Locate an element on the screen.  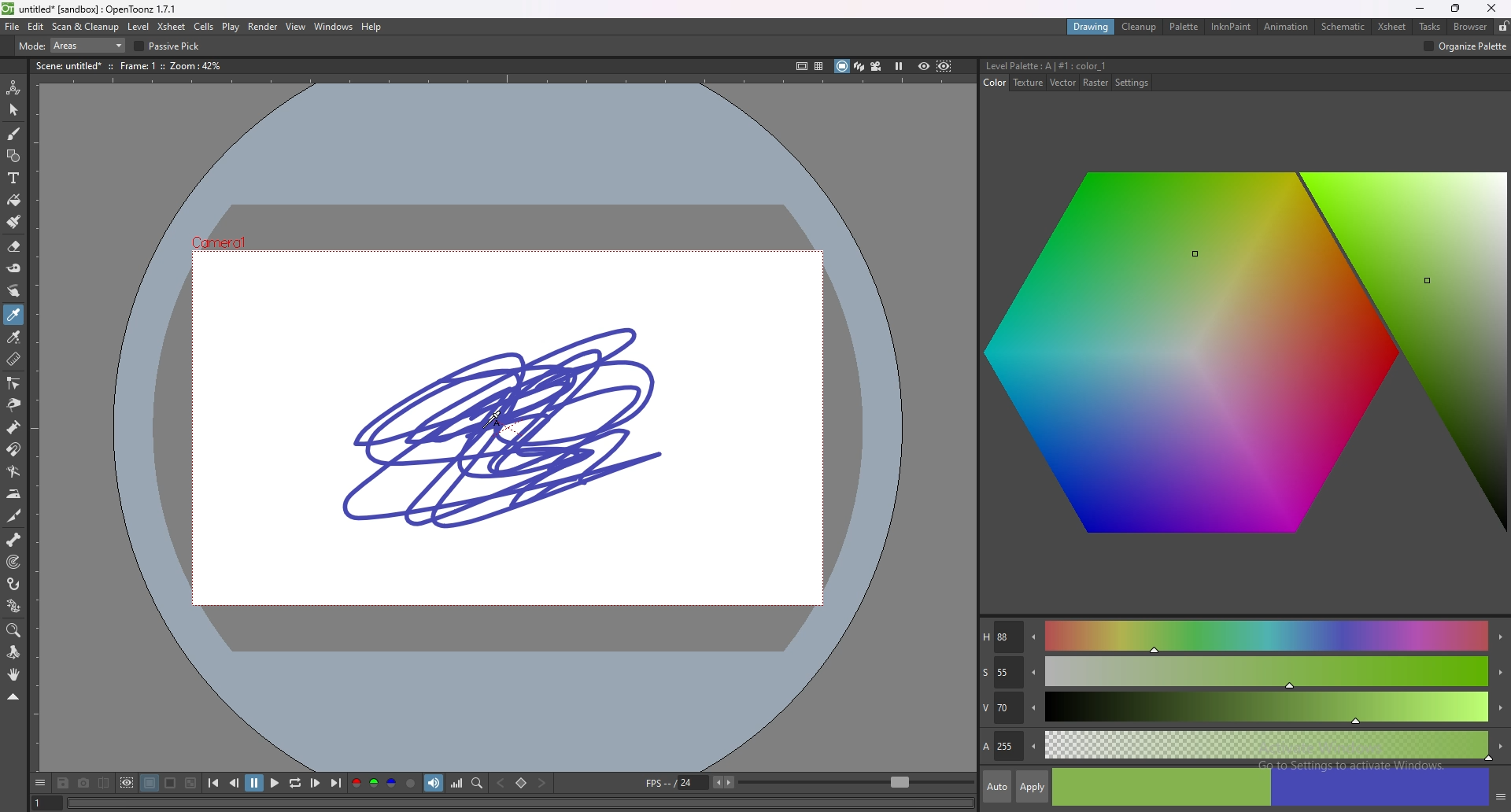
animation is located at coordinates (1287, 27).